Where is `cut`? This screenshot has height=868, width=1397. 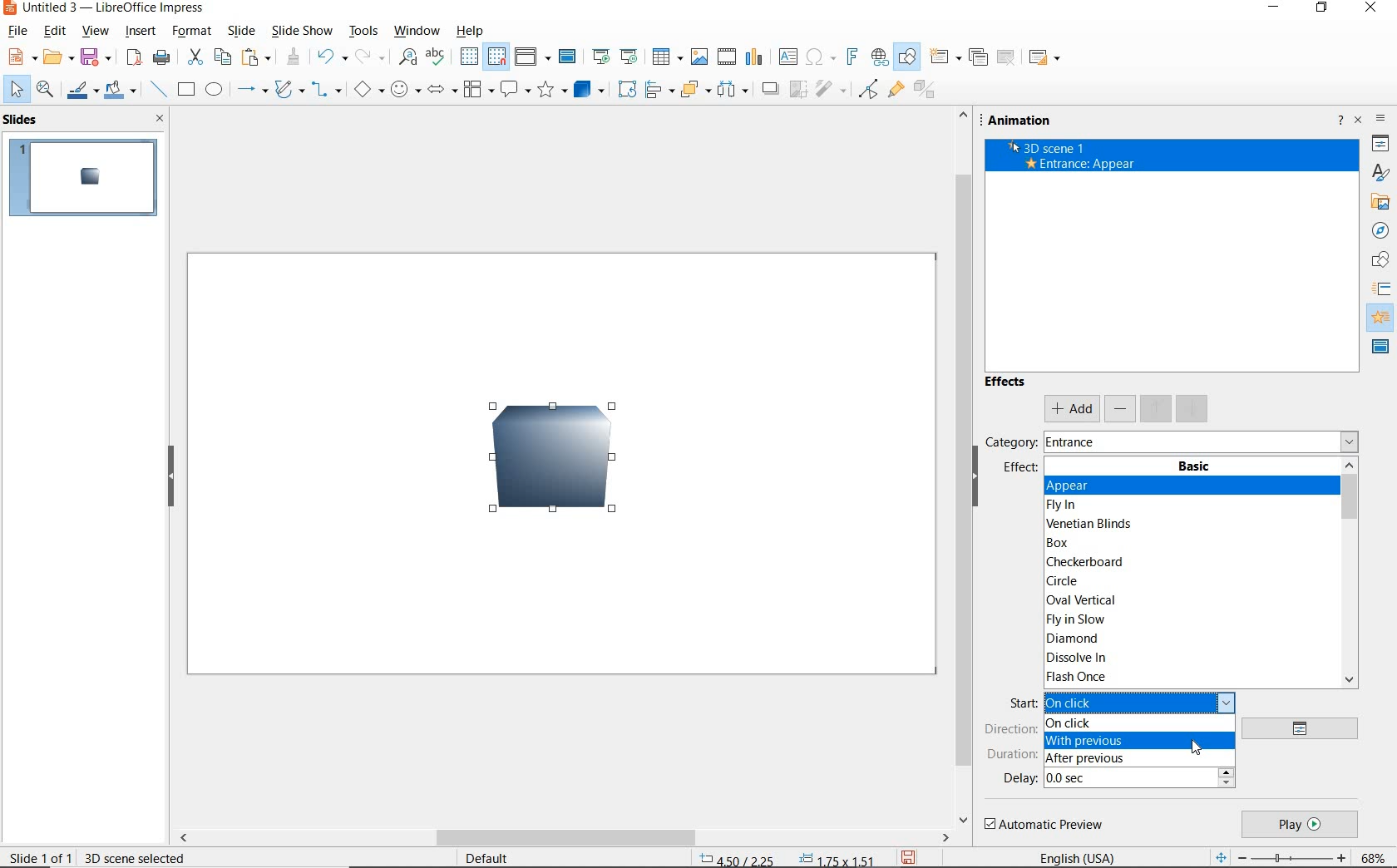
cut is located at coordinates (196, 57).